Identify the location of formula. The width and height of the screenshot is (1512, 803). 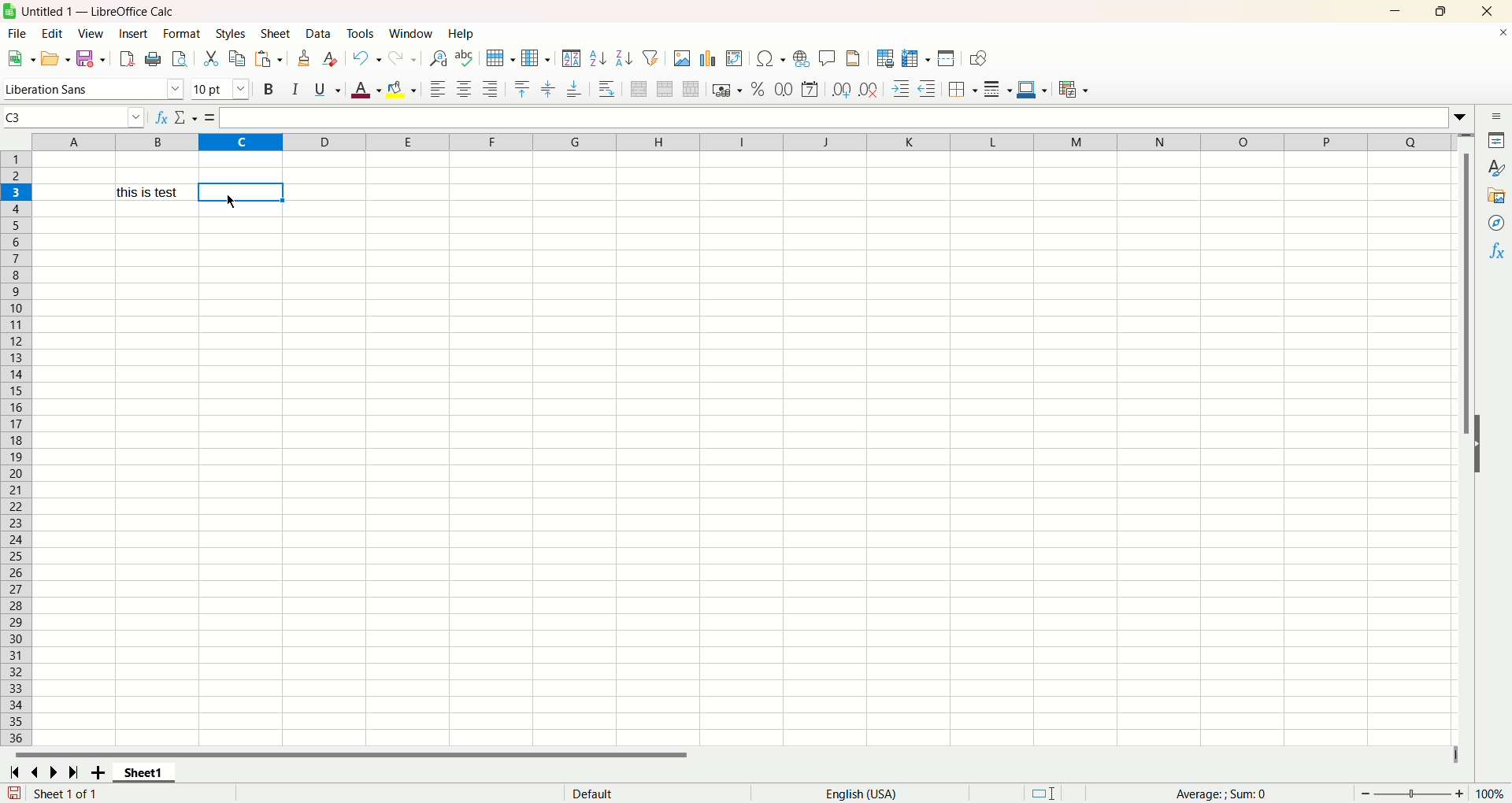
(208, 118).